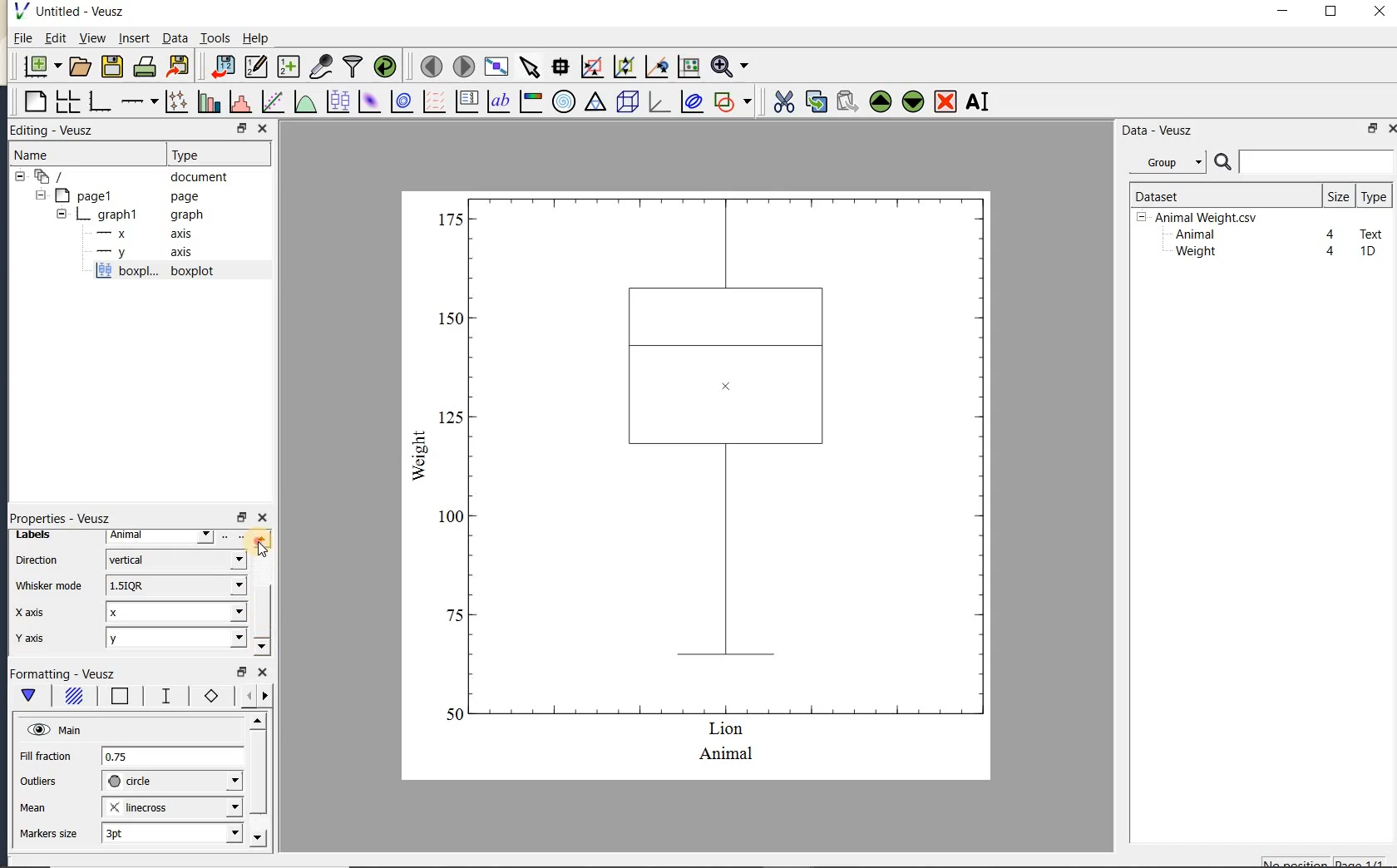 This screenshot has height=868, width=1397. What do you see at coordinates (689, 67) in the screenshot?
I see `click to reset graph axes` at bounding box center [689, 67].